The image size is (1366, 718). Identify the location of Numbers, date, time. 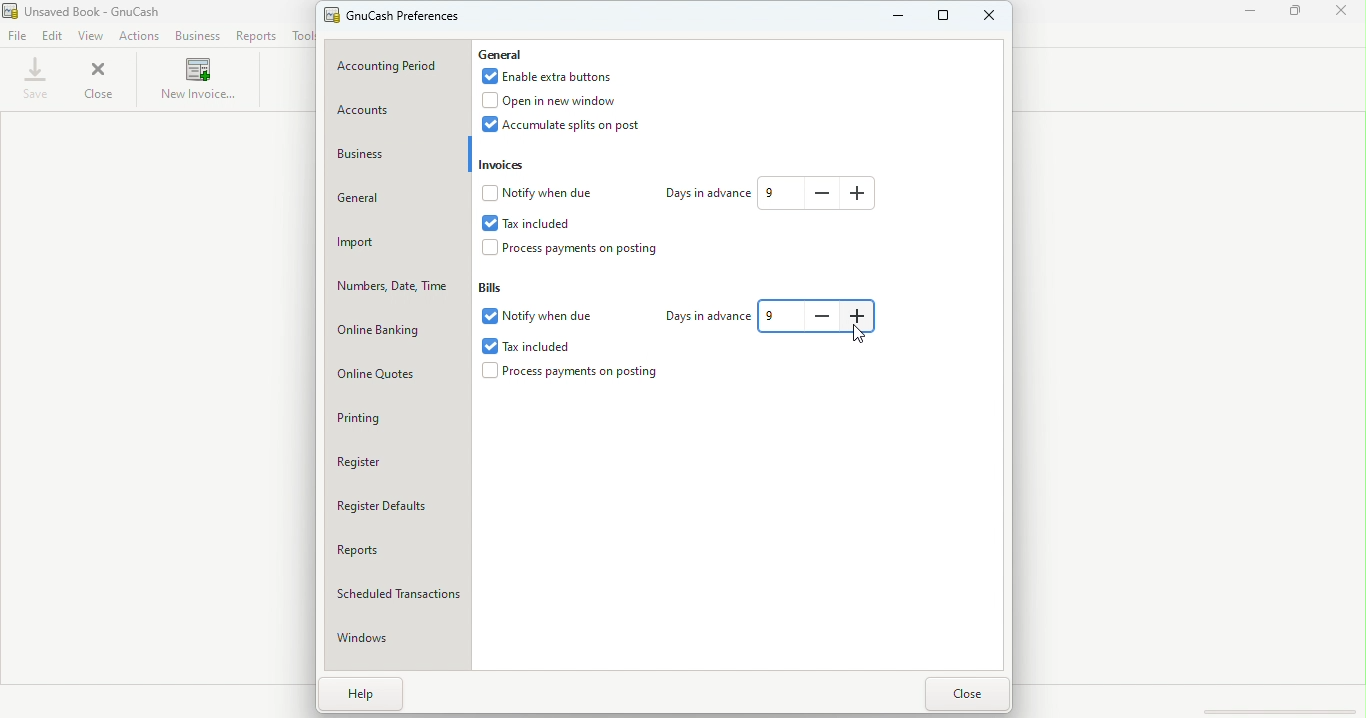
(390, 286).